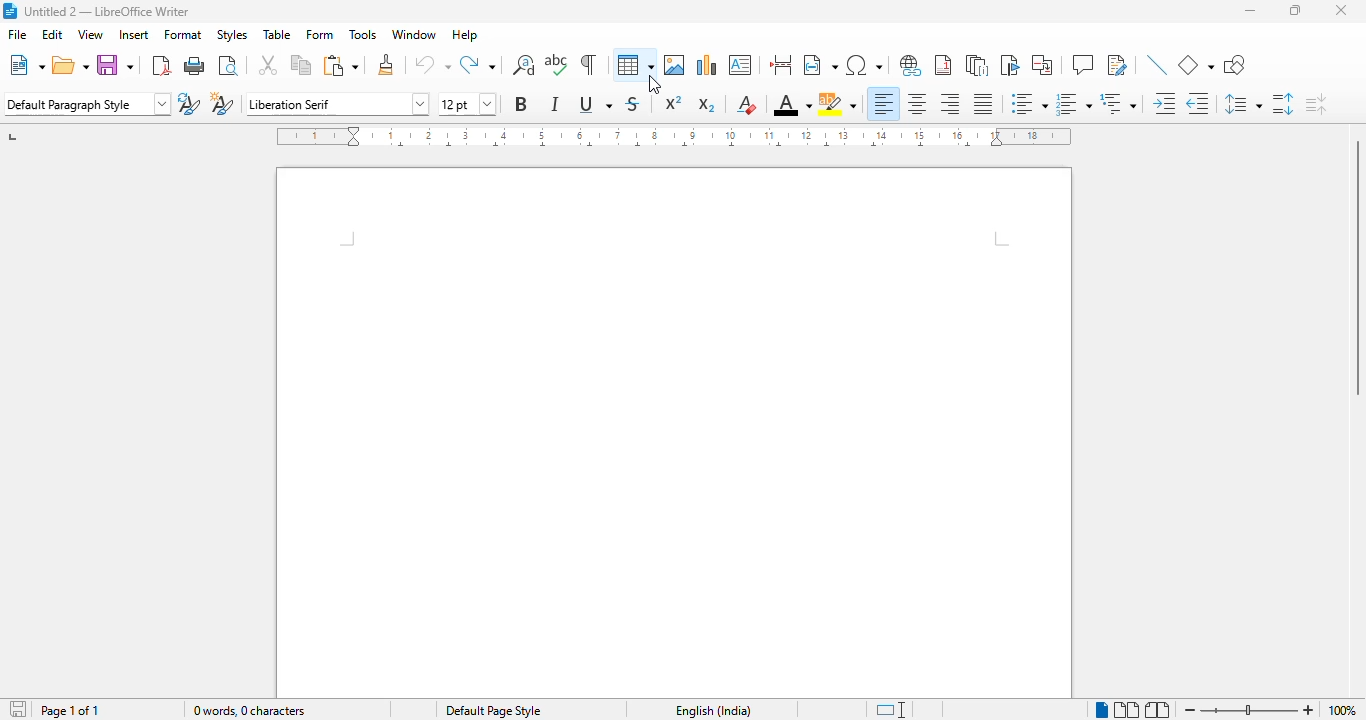 Image resolution: width=1366 pixels, height=720 pixels. Describe the element at coordinates (1083, 64) in the screenshot. I see `insert comment` at that location.